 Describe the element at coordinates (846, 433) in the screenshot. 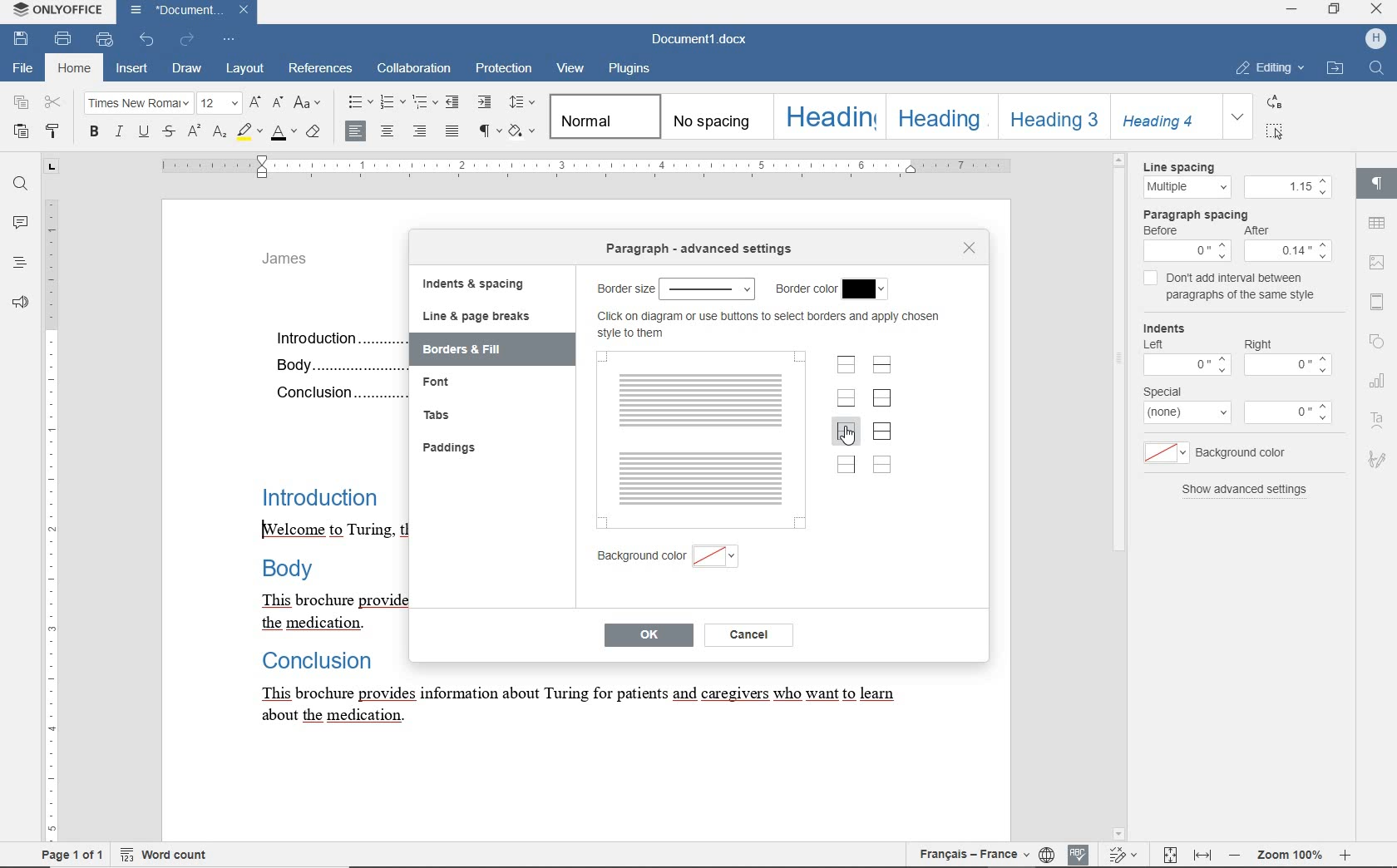

I see `set left border only` at that location.